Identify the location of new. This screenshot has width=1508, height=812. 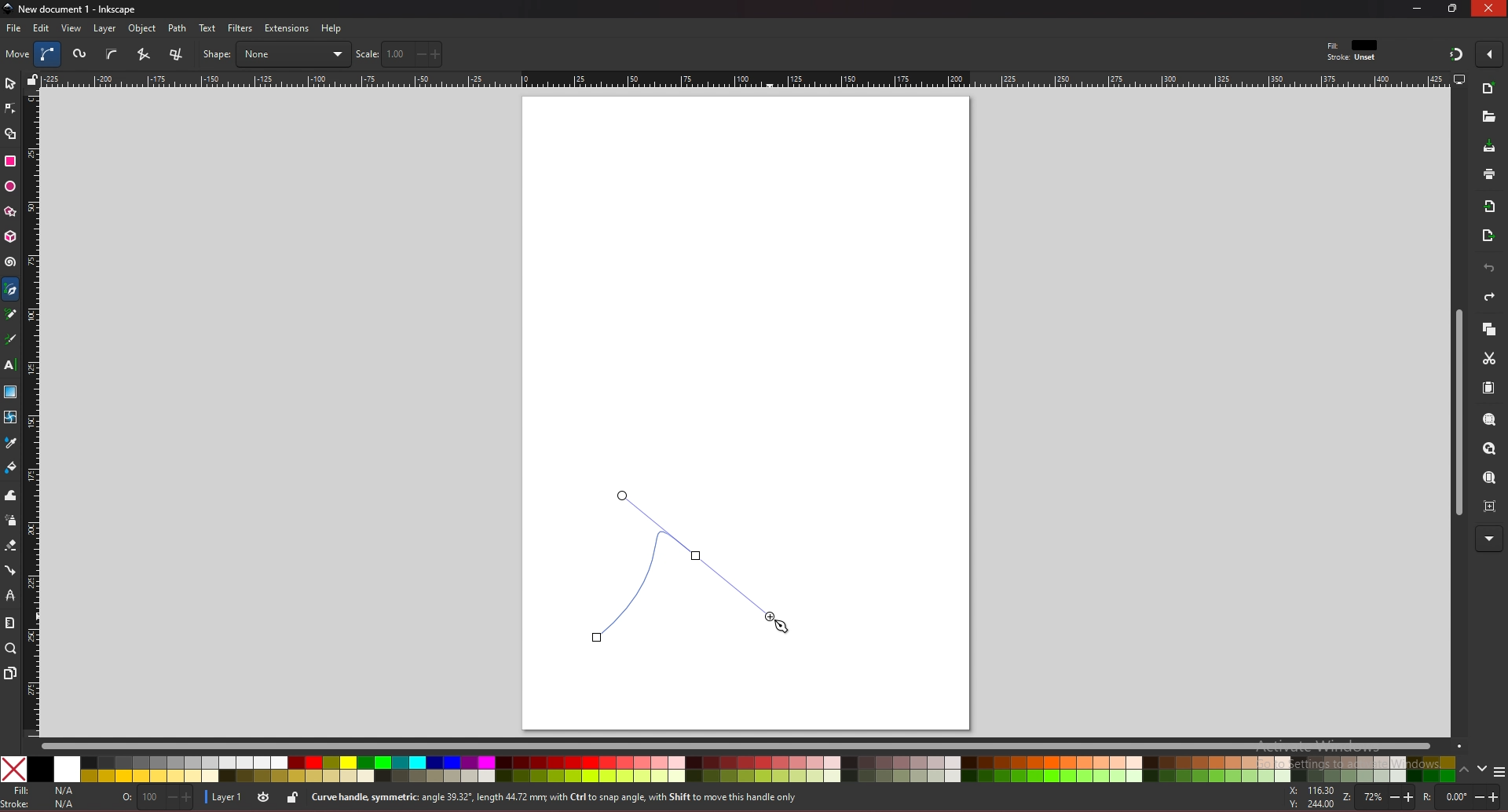
(1489, 90).